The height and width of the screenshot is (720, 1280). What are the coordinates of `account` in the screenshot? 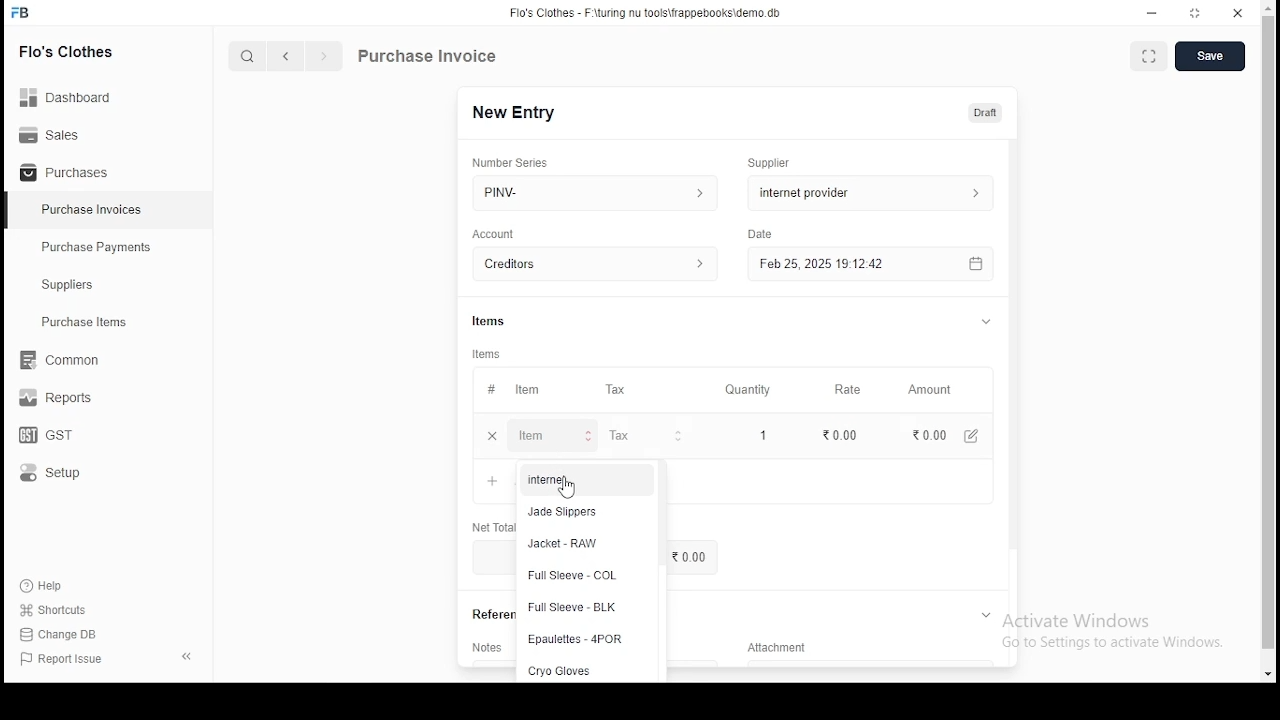 It's located at (502, 234).